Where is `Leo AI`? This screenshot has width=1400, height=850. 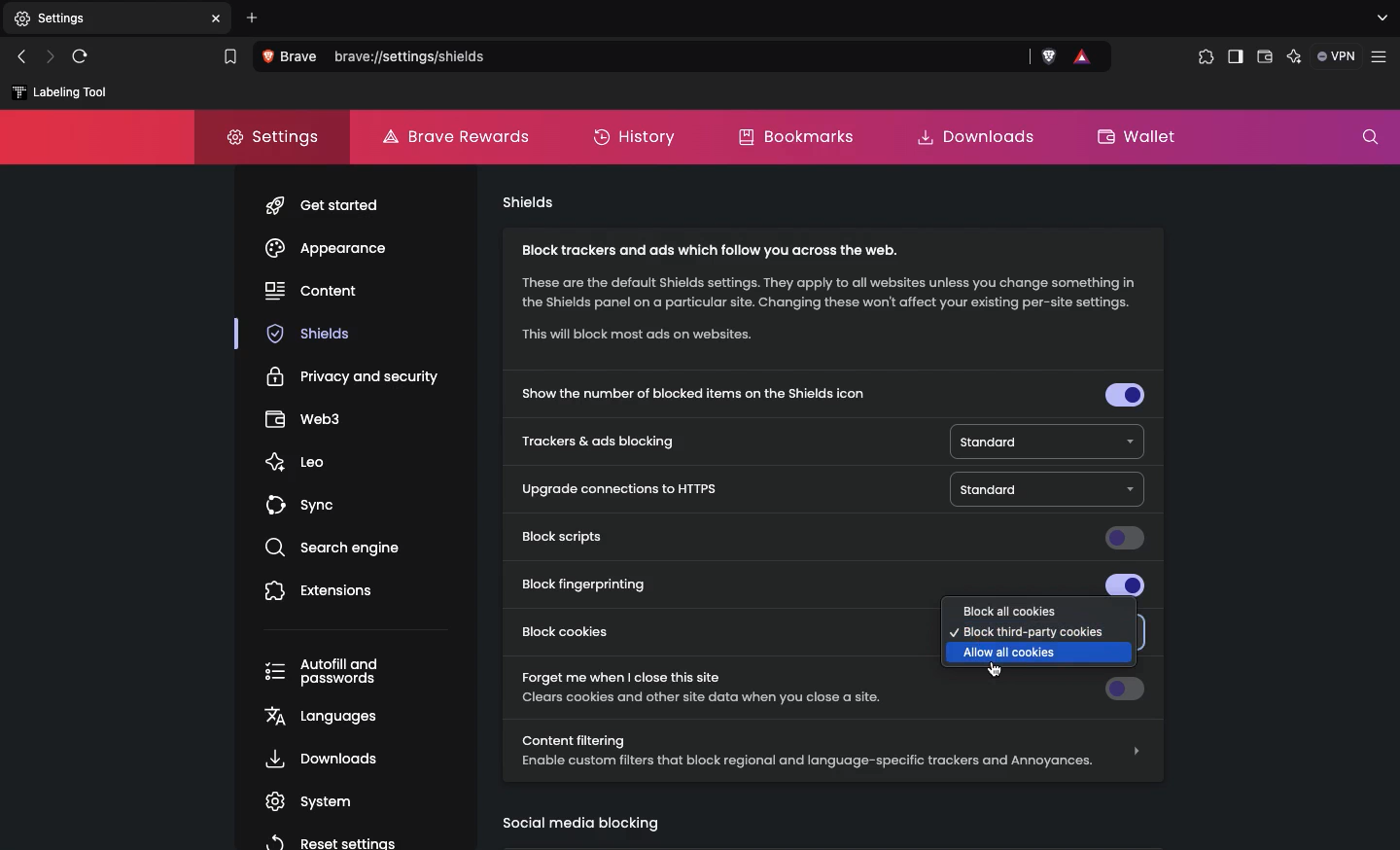 Leo AI is located at coordinates (1294, 57).